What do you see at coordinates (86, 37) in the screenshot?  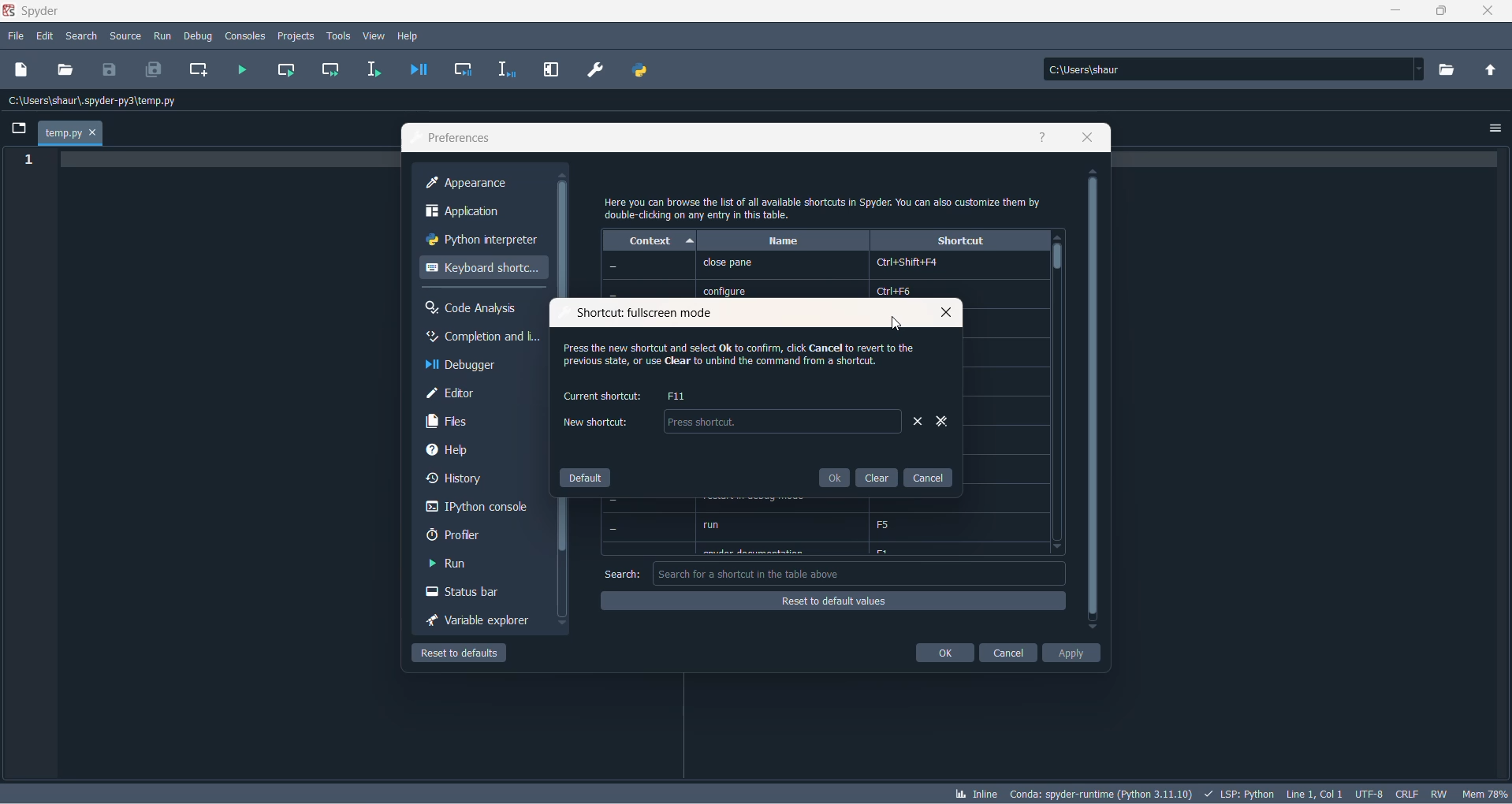 I see `search` at bounding box center [86, 37].